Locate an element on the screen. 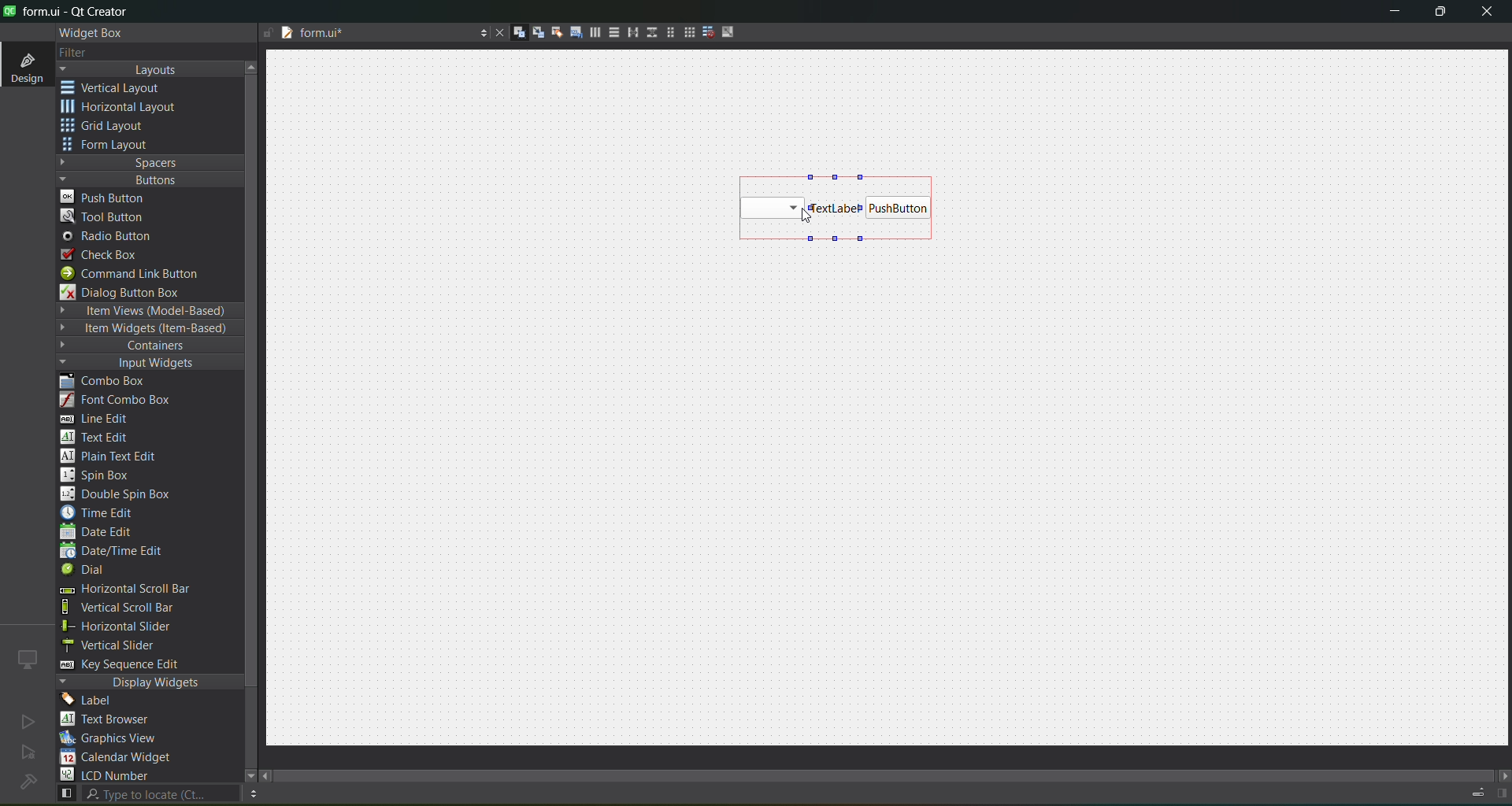  vertical is located at coordinates (122, 88).